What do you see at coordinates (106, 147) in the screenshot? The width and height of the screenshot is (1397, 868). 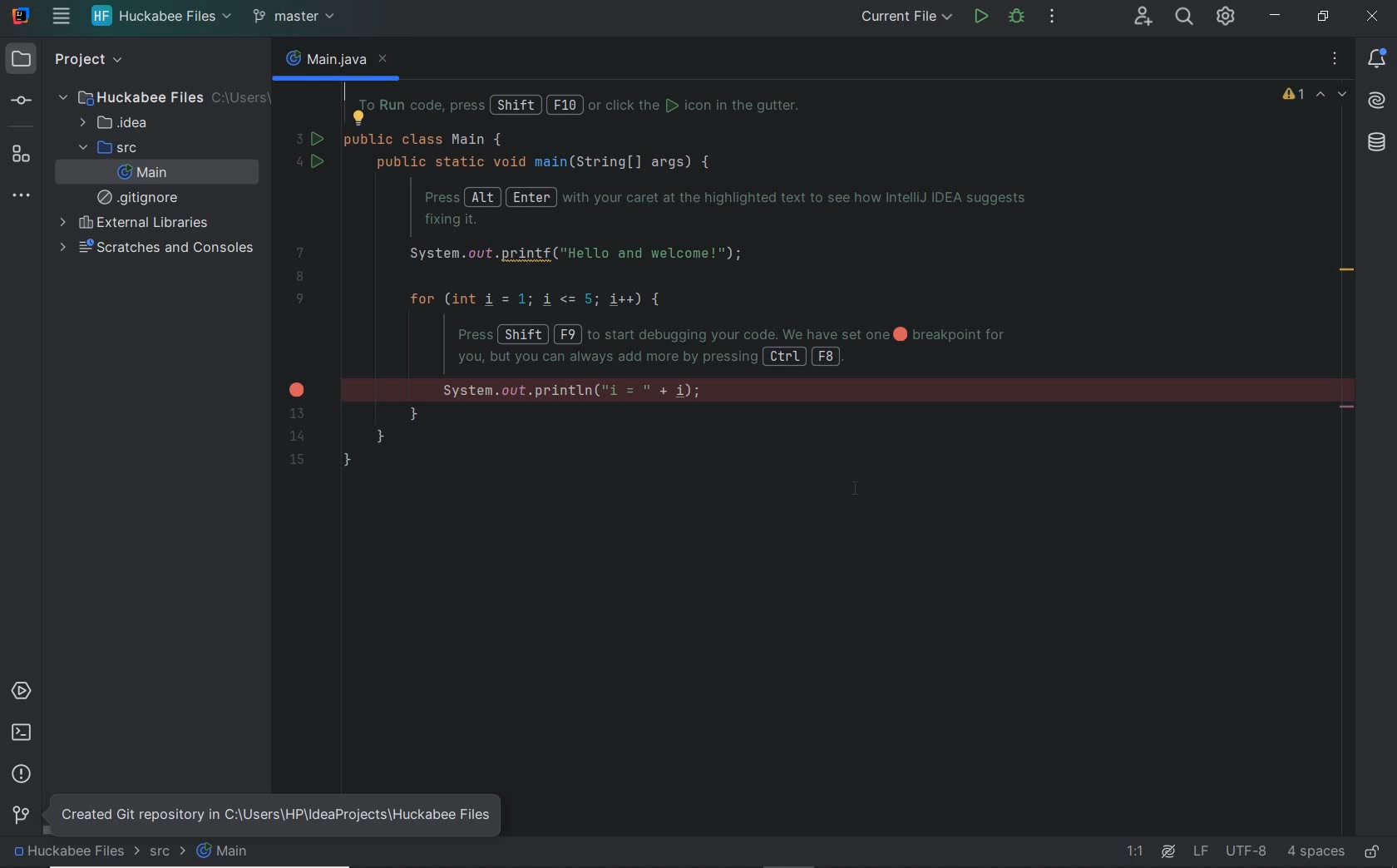 I see `src` at bounding box center [106, 147].